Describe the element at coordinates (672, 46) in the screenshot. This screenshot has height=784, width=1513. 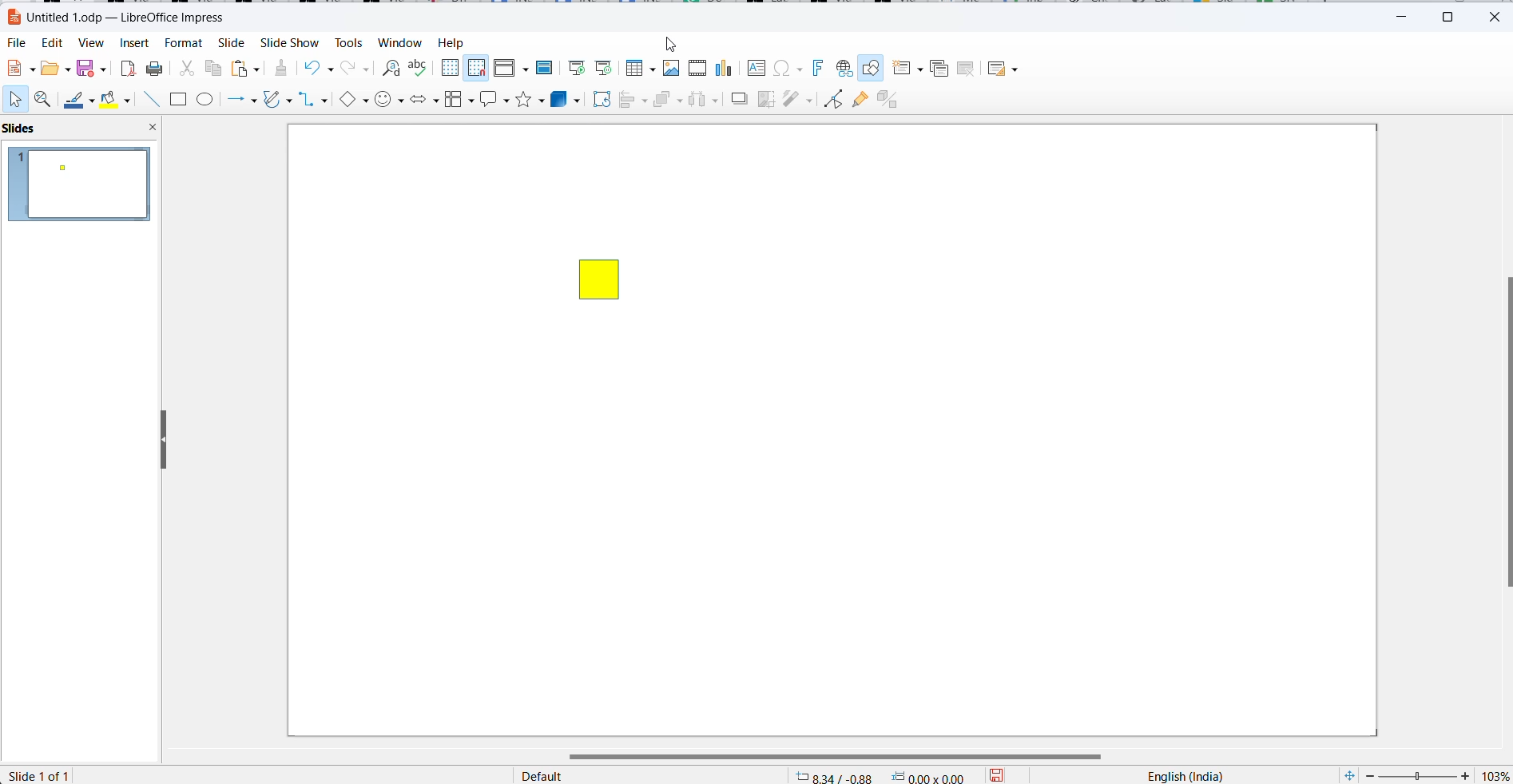
I see `cursor` at that location.